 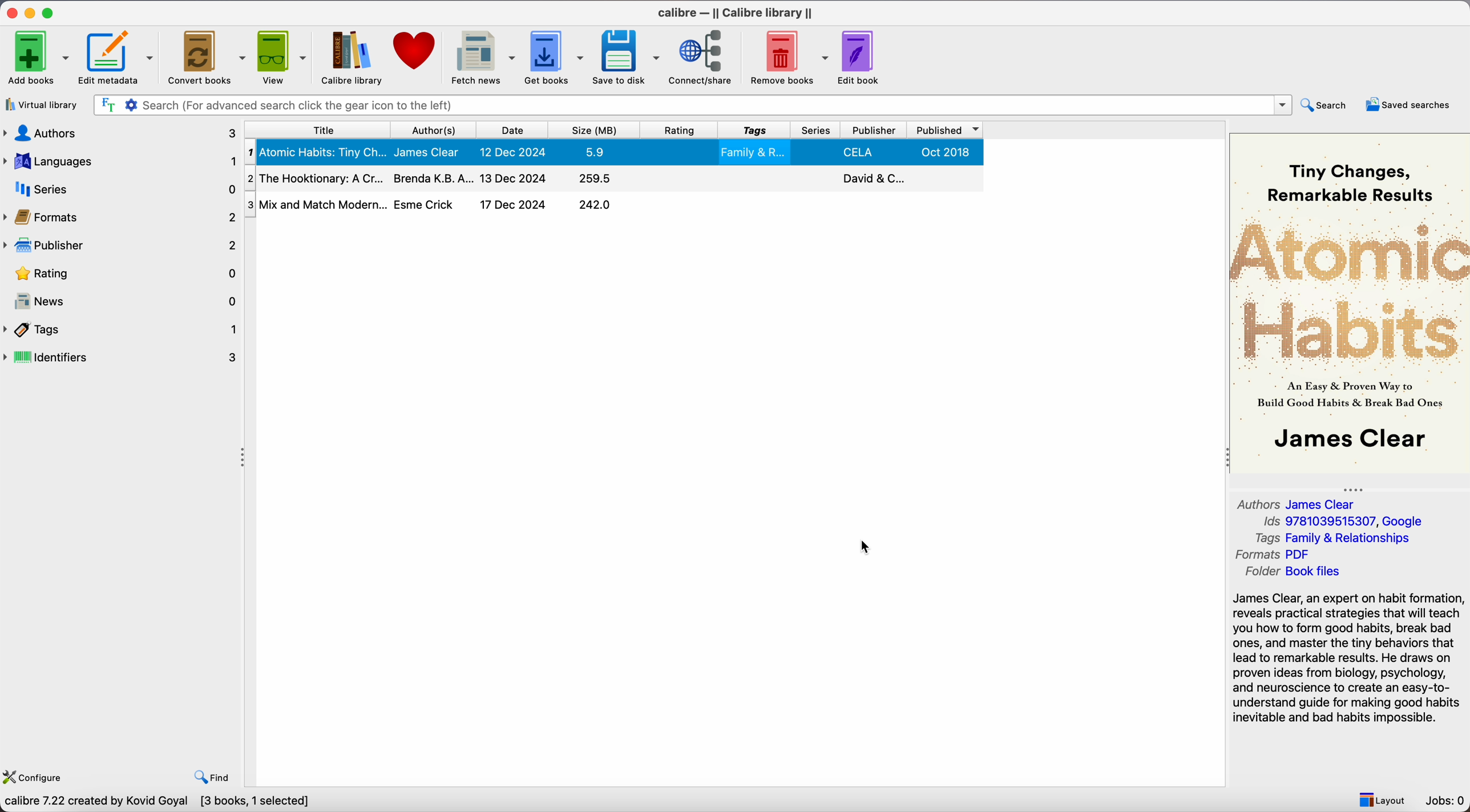 What do you see at coordinates (158, 805) in the screenshot?
I see `Calibre 7.22 created by Kovid Goyal [3 books, 1 selected]` at bounding box center [158, 805].